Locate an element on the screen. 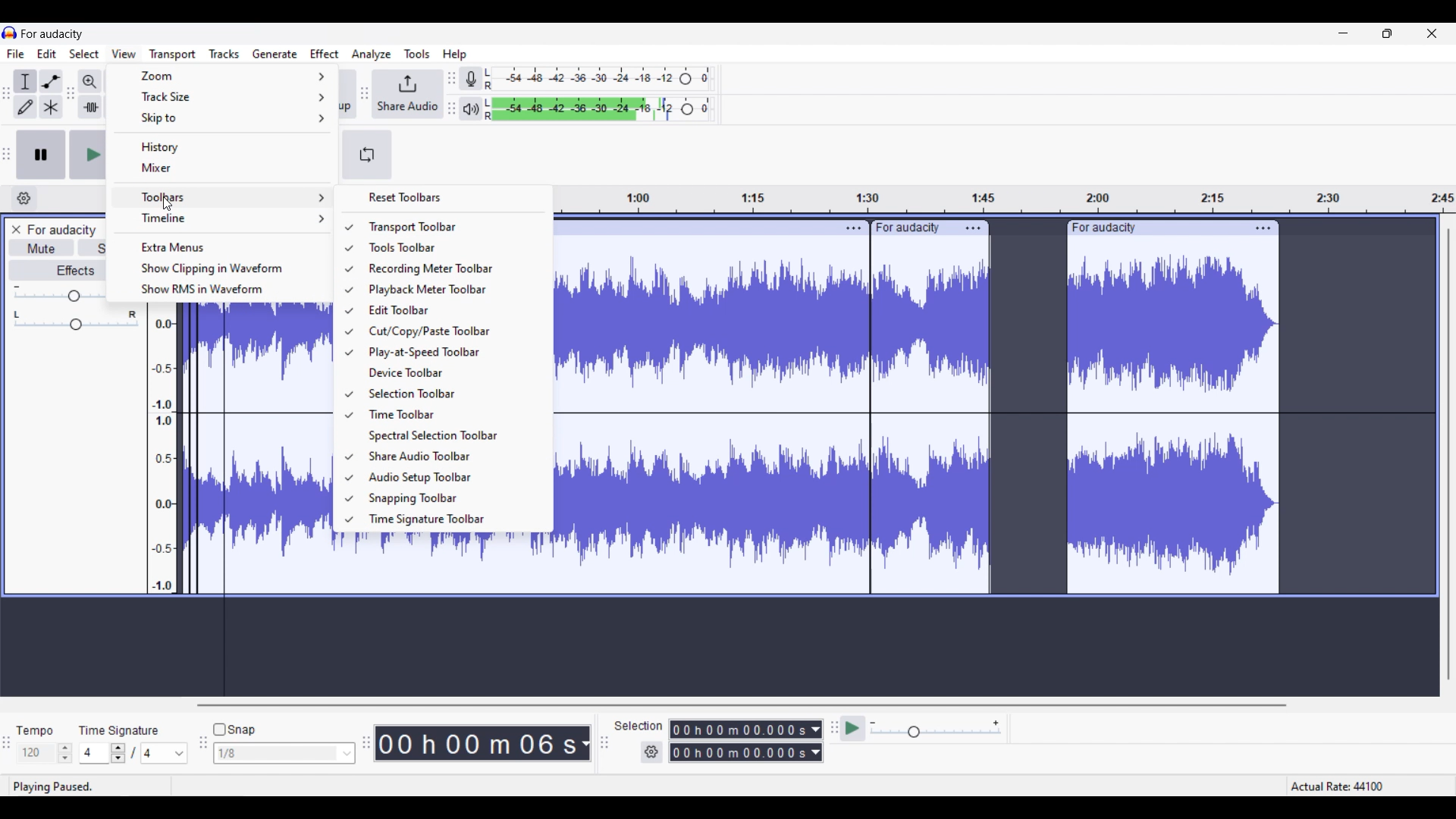 The height and width of the screenshot is (819, 1456). Minimize is located at coordinates (1343, 33).